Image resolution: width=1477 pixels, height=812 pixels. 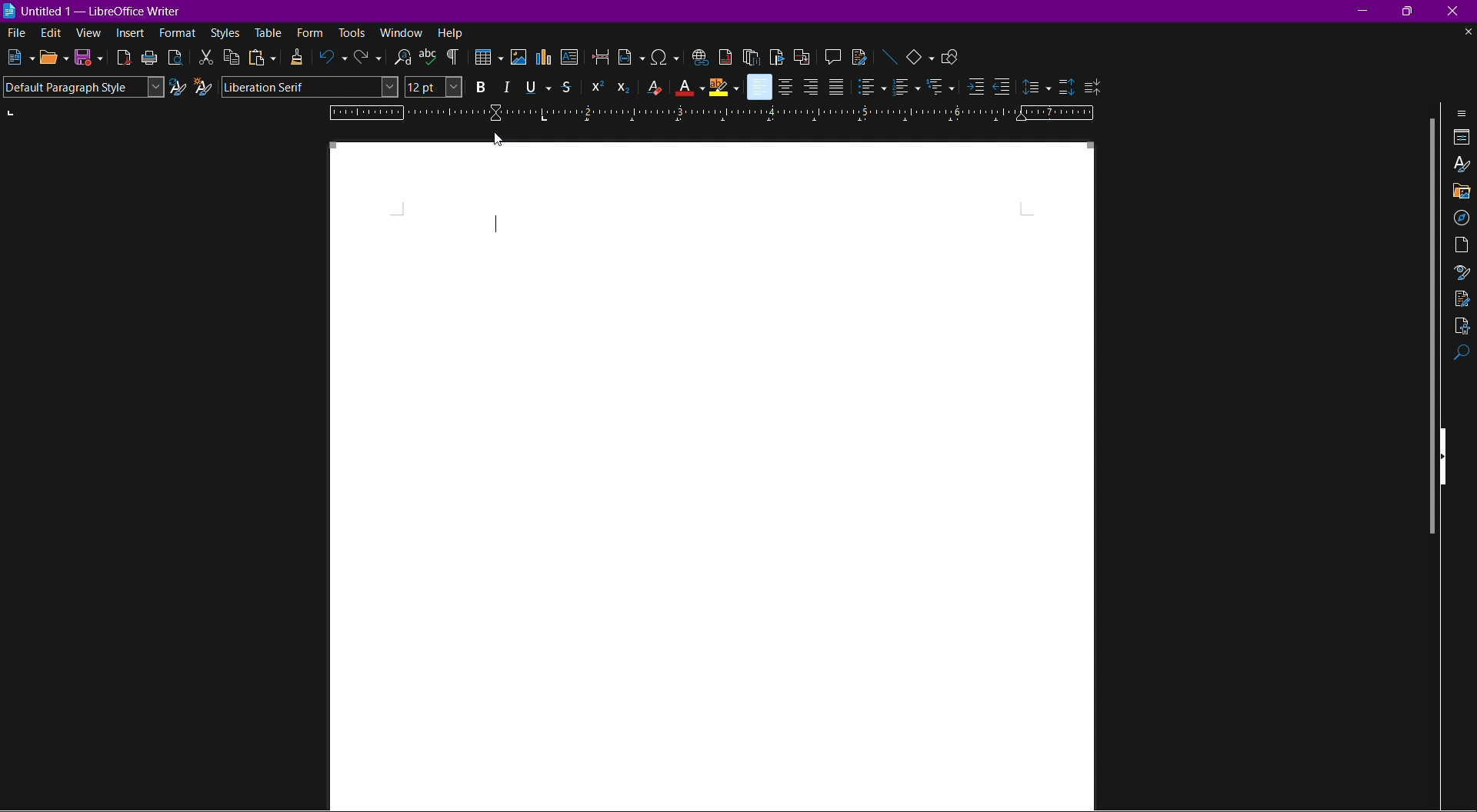 I want to click on Justified, so click(x=836, y=87).